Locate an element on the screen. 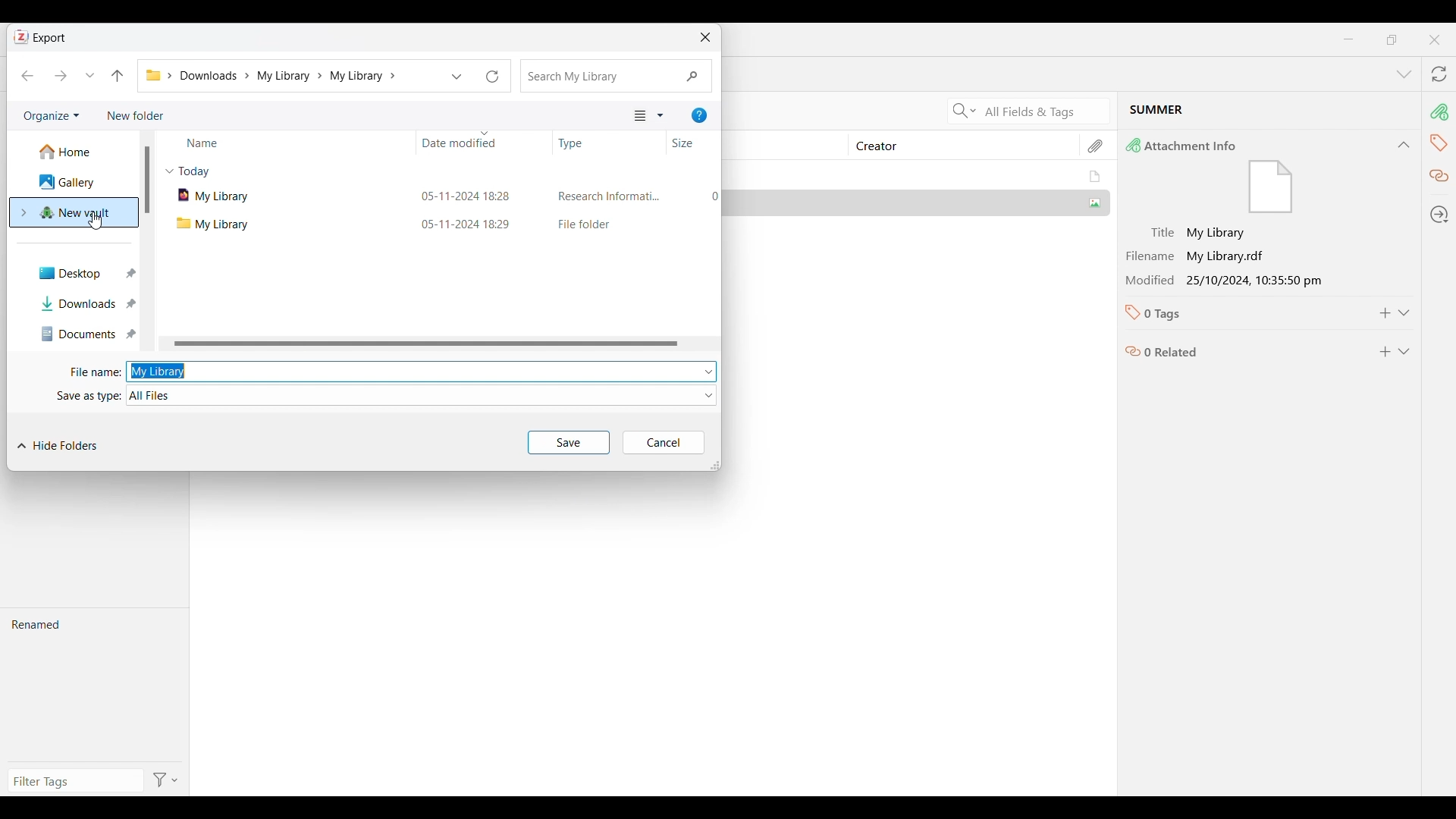 The image size is (1456, 819). Summer is located at coordinates (918, 202).